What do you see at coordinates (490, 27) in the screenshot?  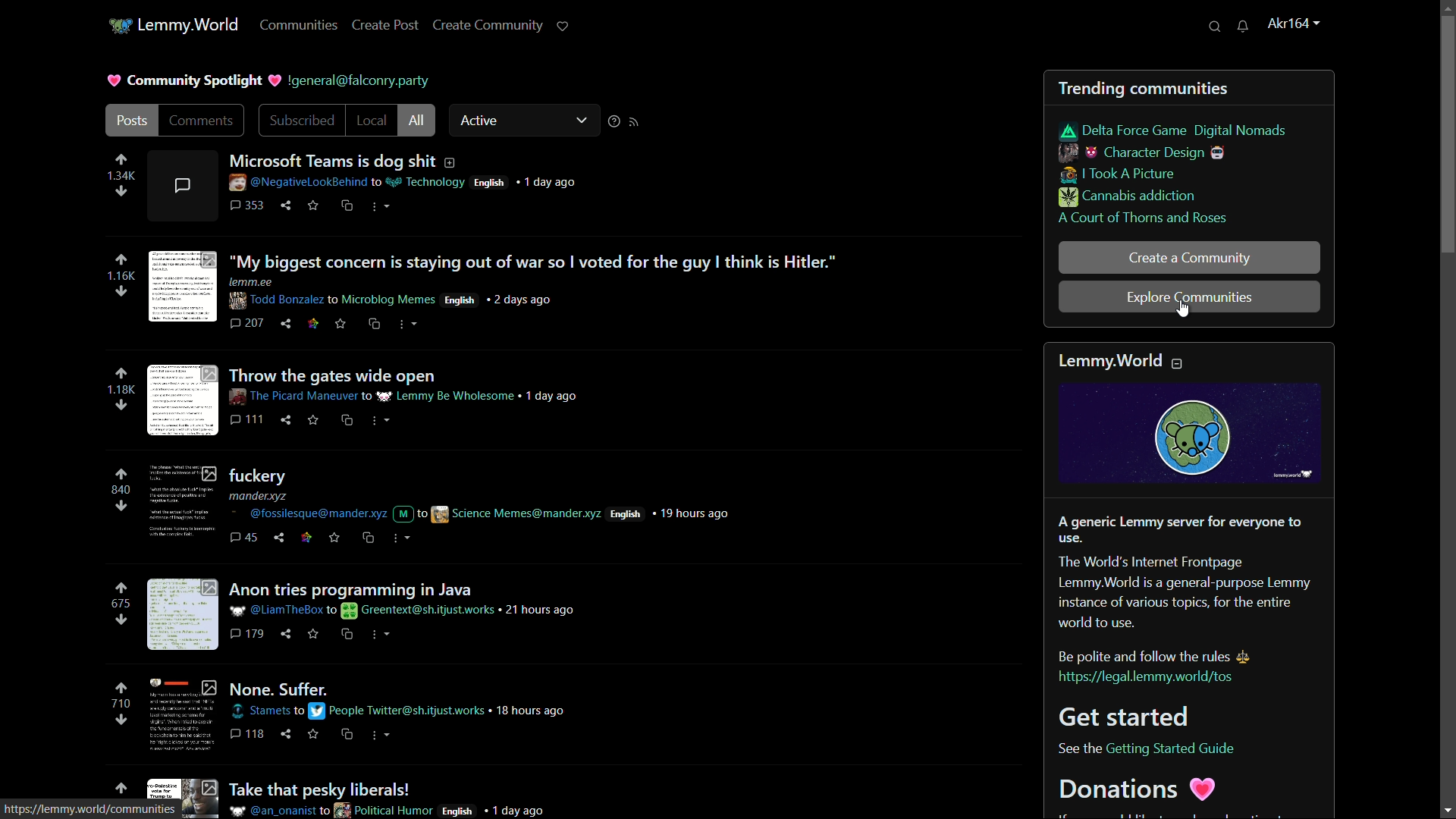 I see `create community` at bounding box center [490, 27].